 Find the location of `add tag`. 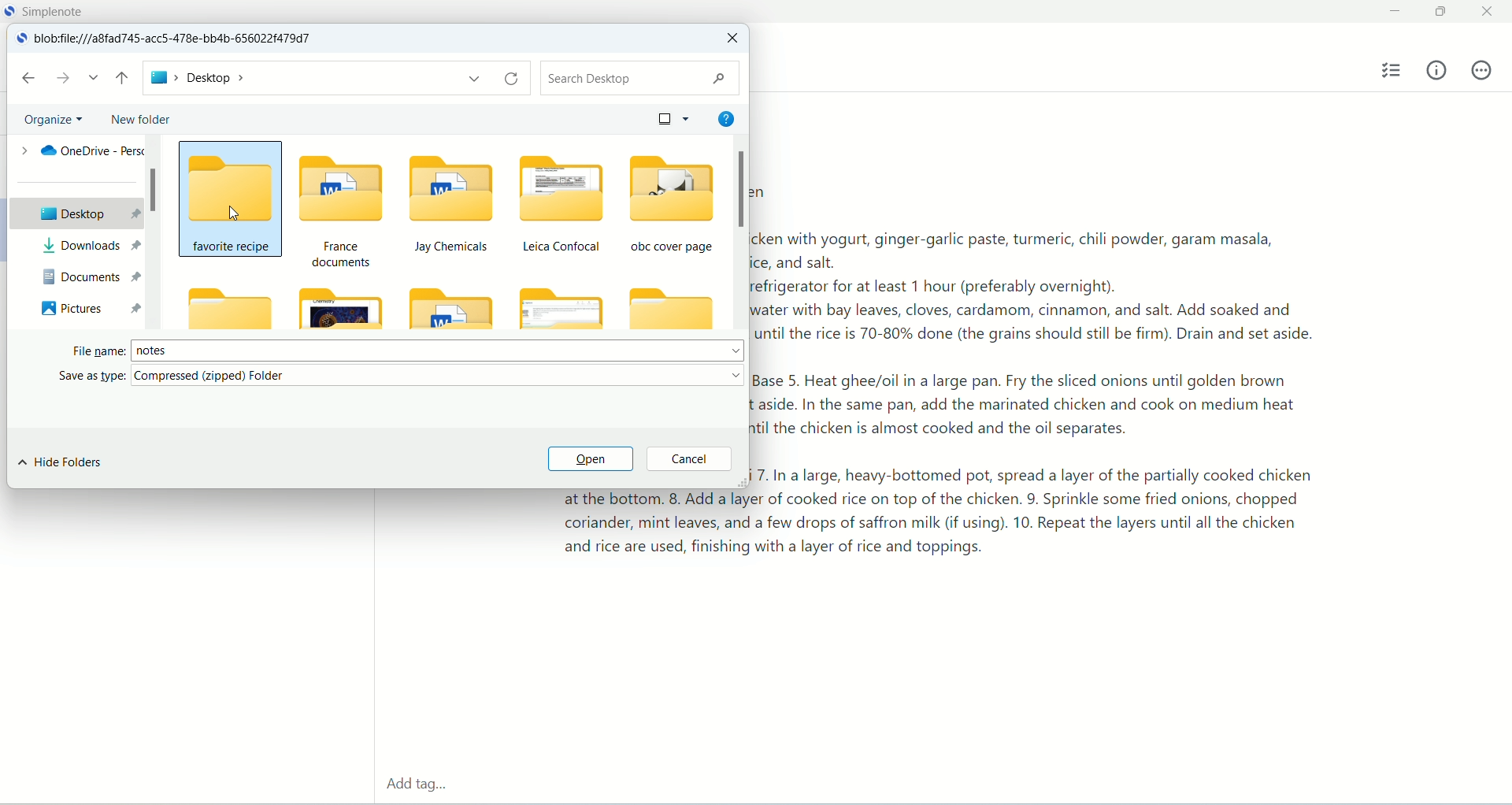

add tag is located at coordinates (414, 786).